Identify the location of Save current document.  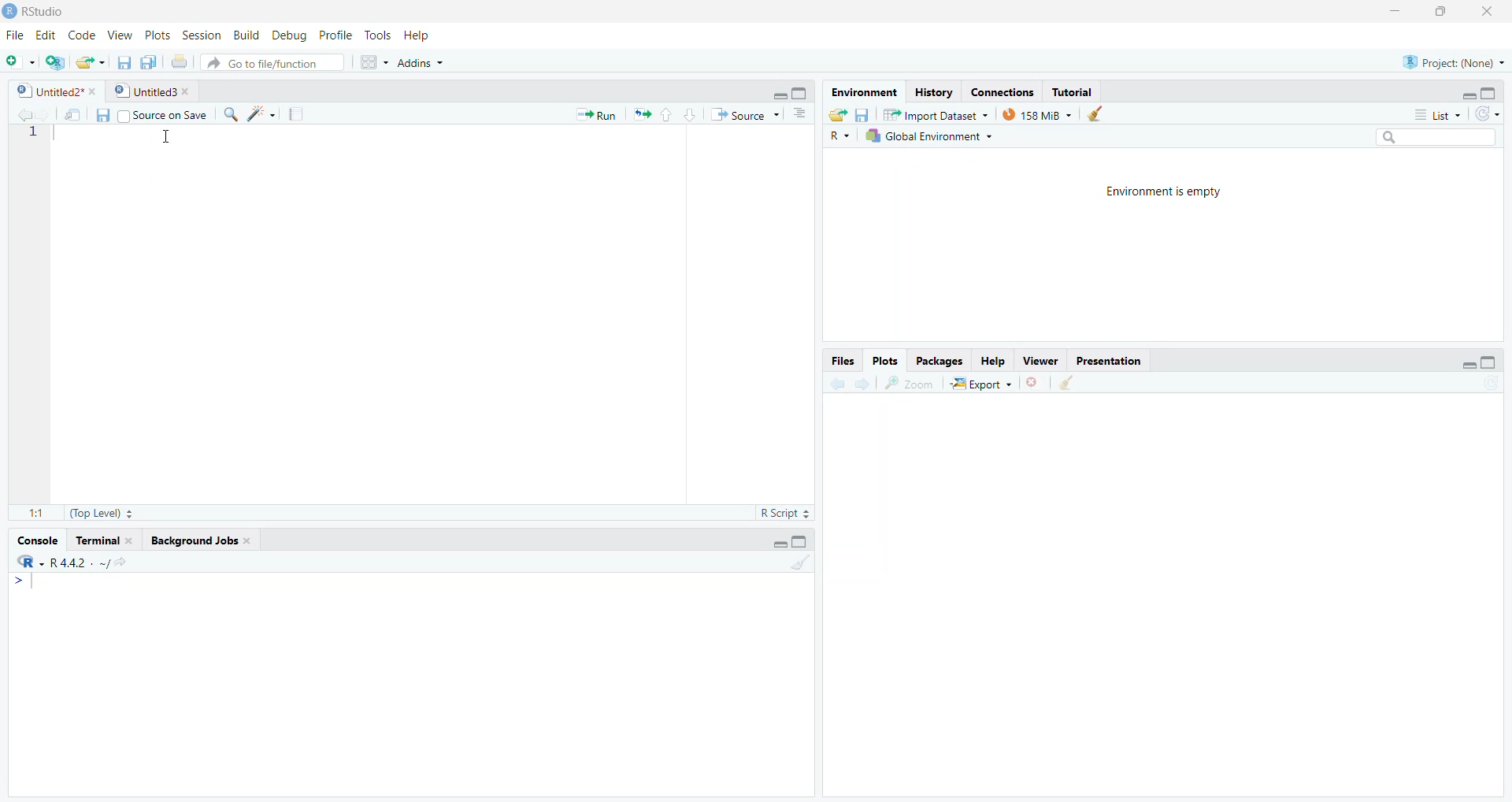
(124, 60).